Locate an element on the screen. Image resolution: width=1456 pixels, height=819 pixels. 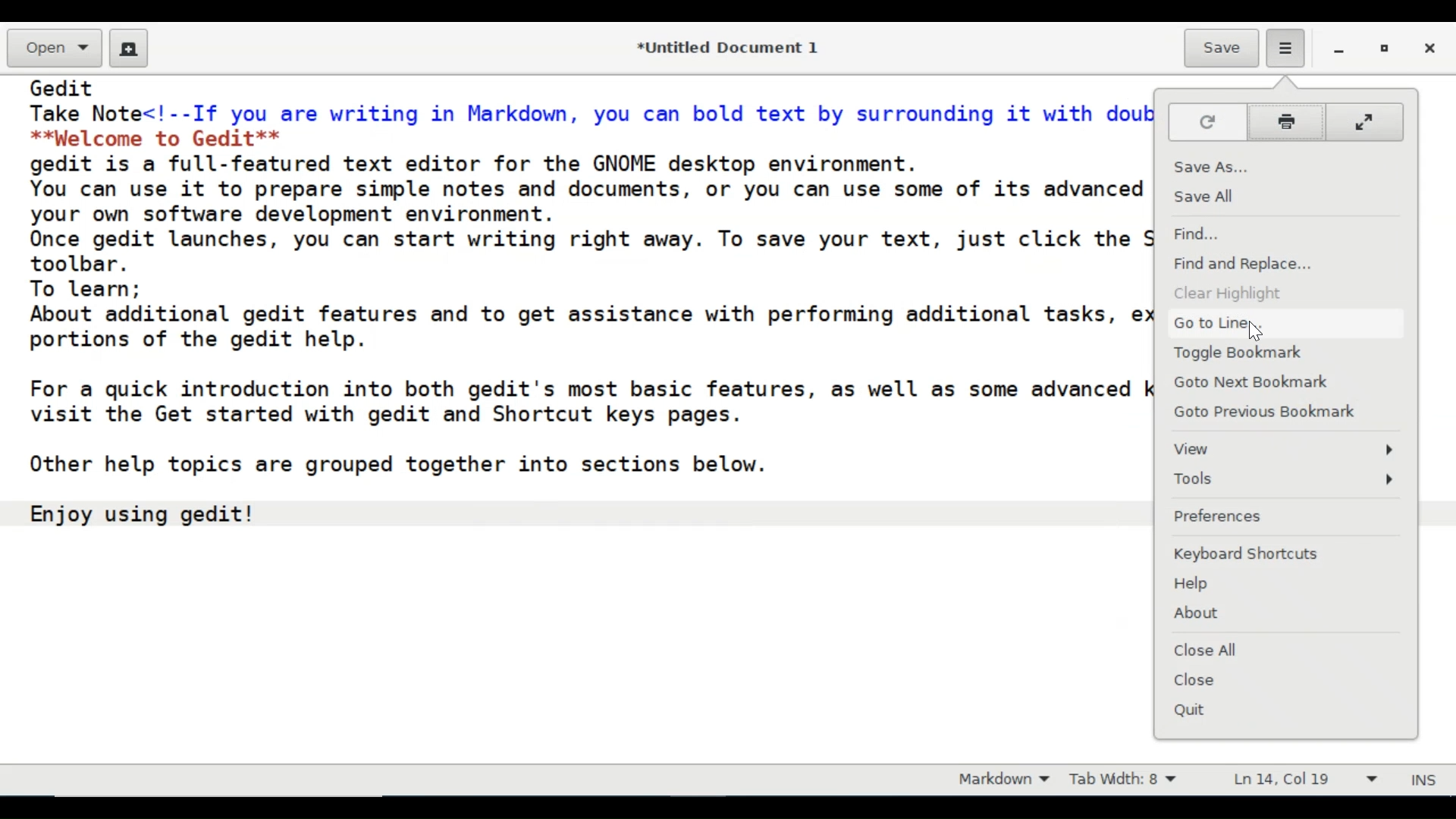
**palcome to Gedit** is located at coordinates (162, 137).